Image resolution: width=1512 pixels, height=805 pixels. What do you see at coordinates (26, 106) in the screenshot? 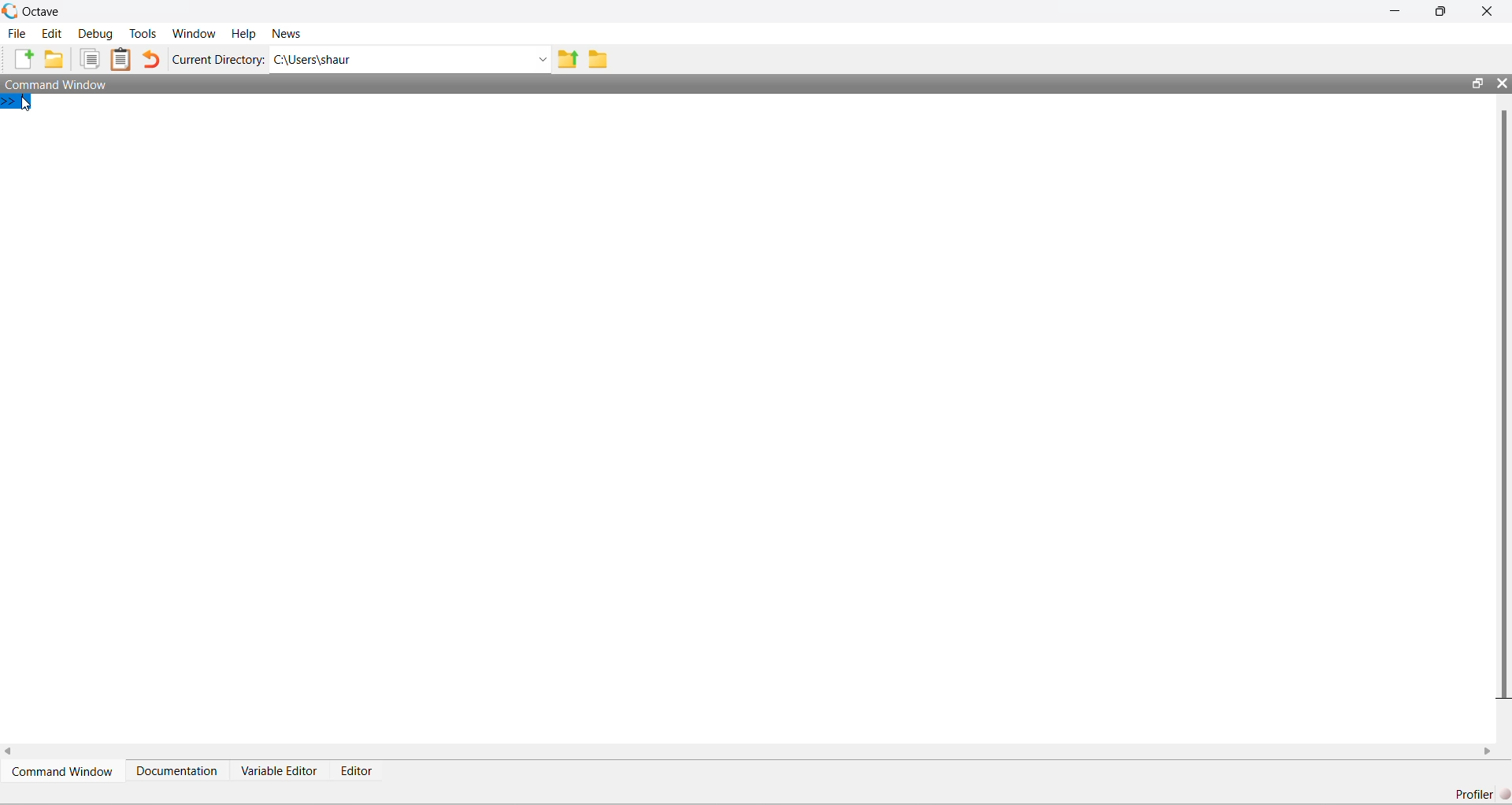
I see `Cursor` at bounding box center [26, 106].